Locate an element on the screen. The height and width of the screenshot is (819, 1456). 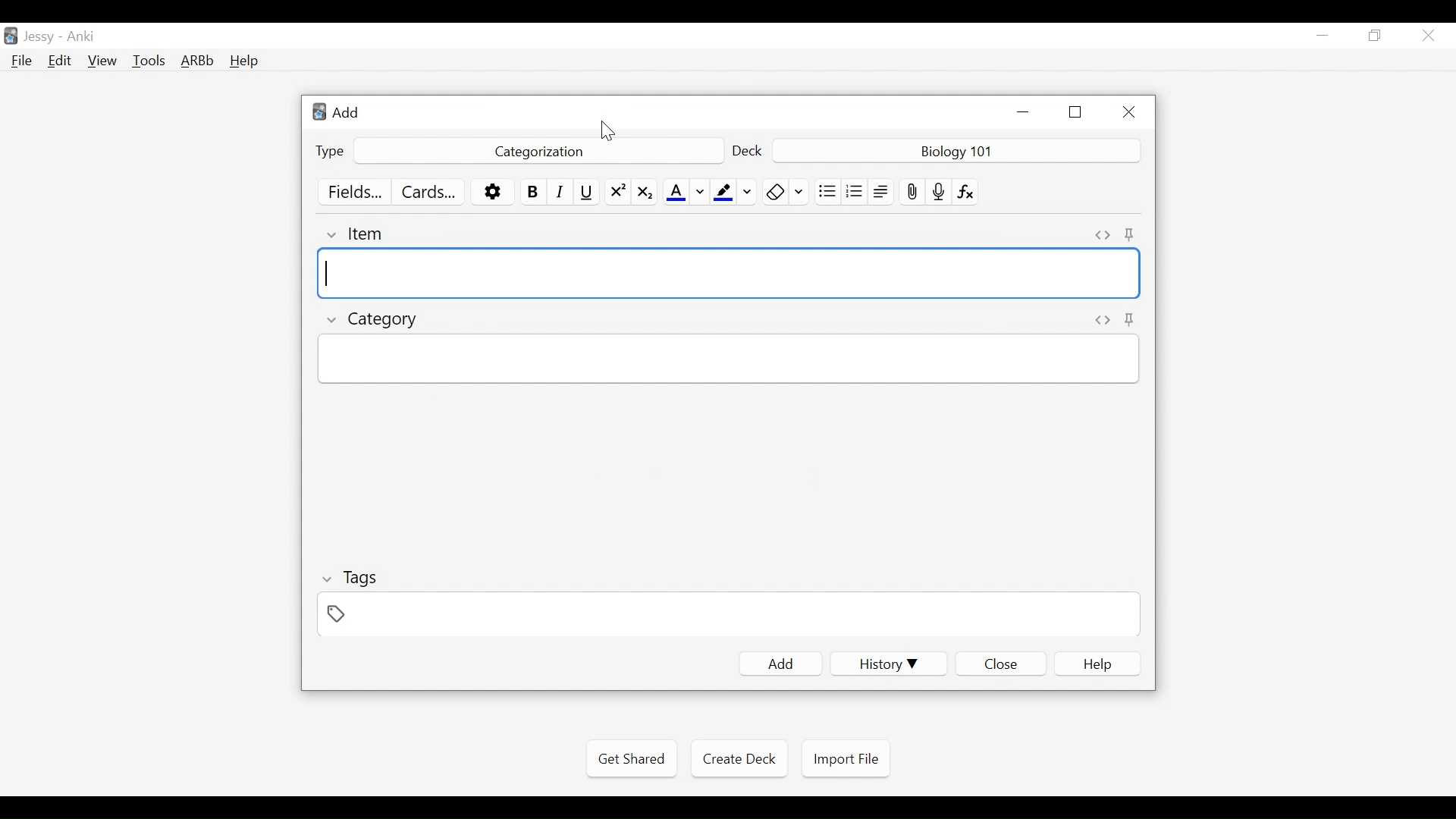
Deck is located at coordinates (748, 152).